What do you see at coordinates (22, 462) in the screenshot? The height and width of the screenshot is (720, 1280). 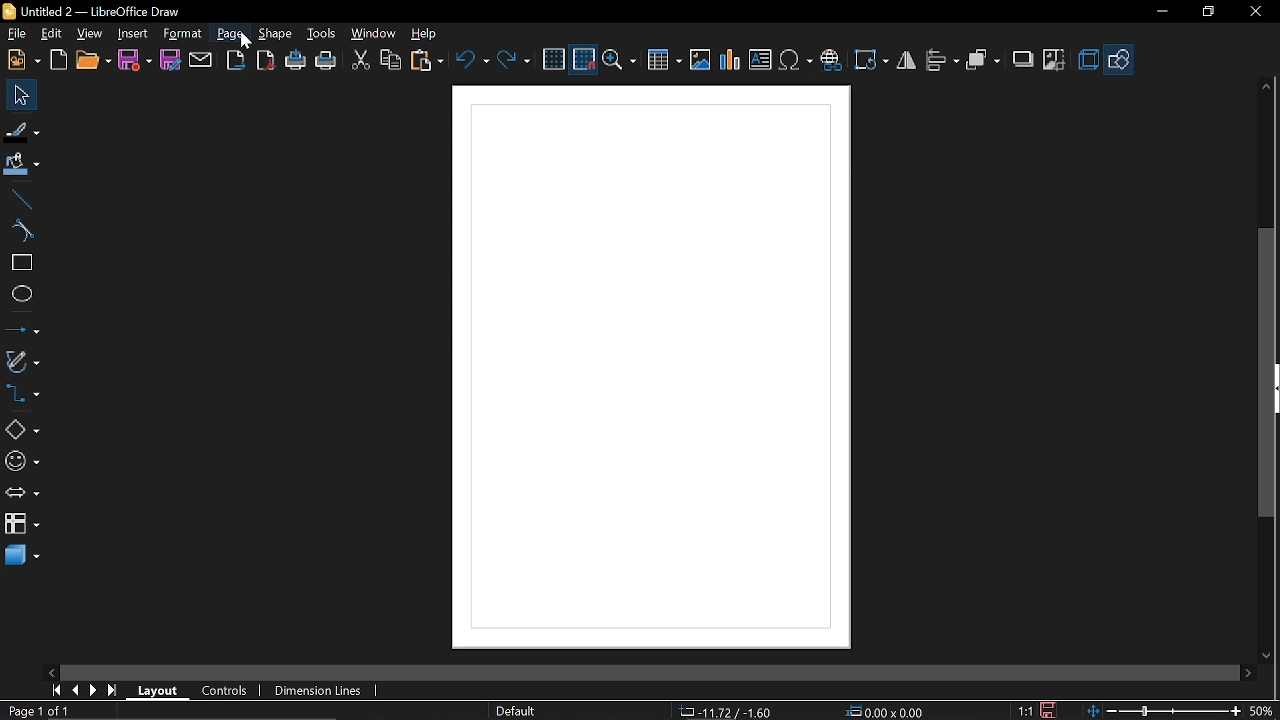 I see `Symbol shapes` at bounding box center [22, 462].